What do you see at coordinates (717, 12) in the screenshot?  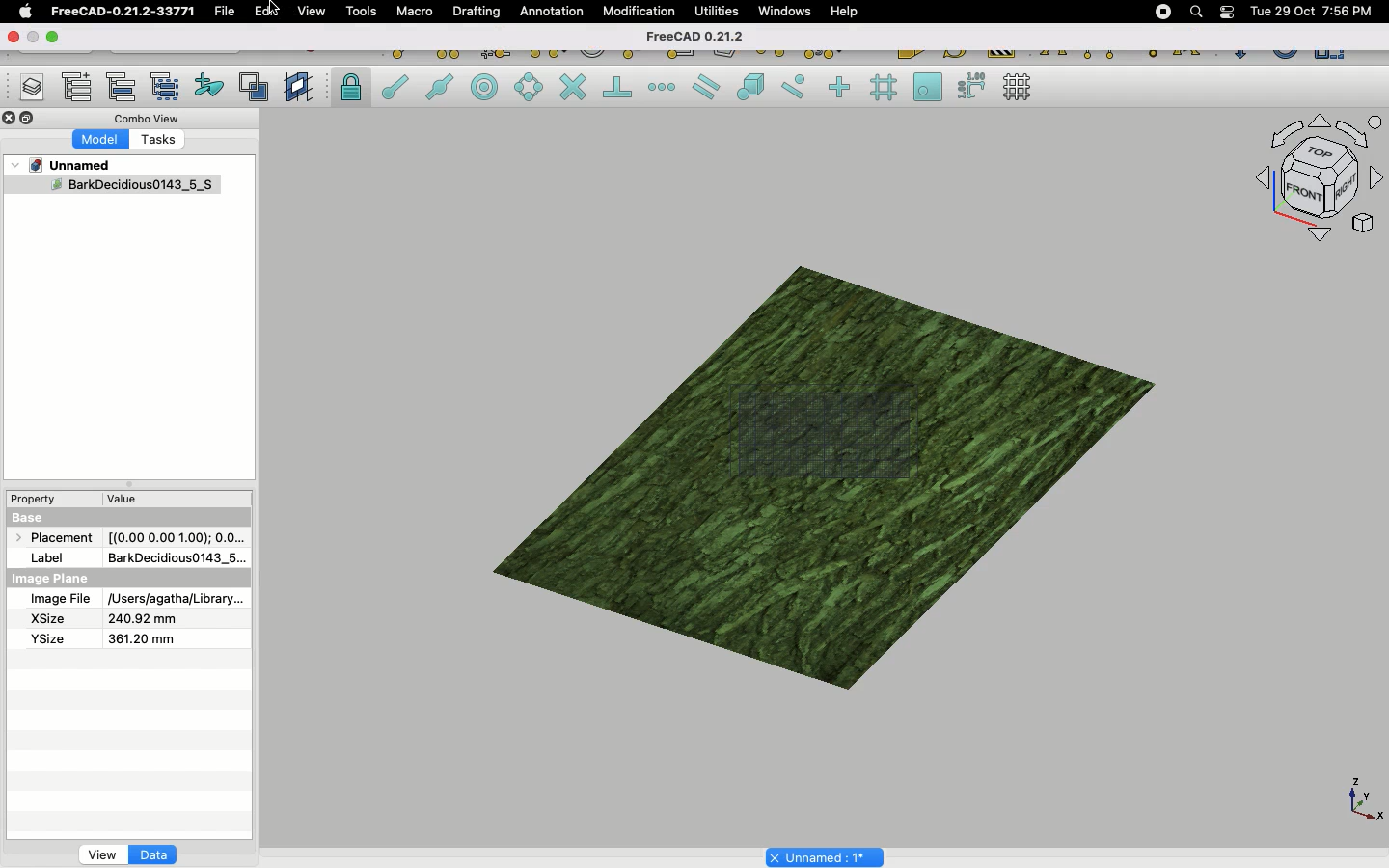 I see `Utilities` at bounding box center [717, 12].